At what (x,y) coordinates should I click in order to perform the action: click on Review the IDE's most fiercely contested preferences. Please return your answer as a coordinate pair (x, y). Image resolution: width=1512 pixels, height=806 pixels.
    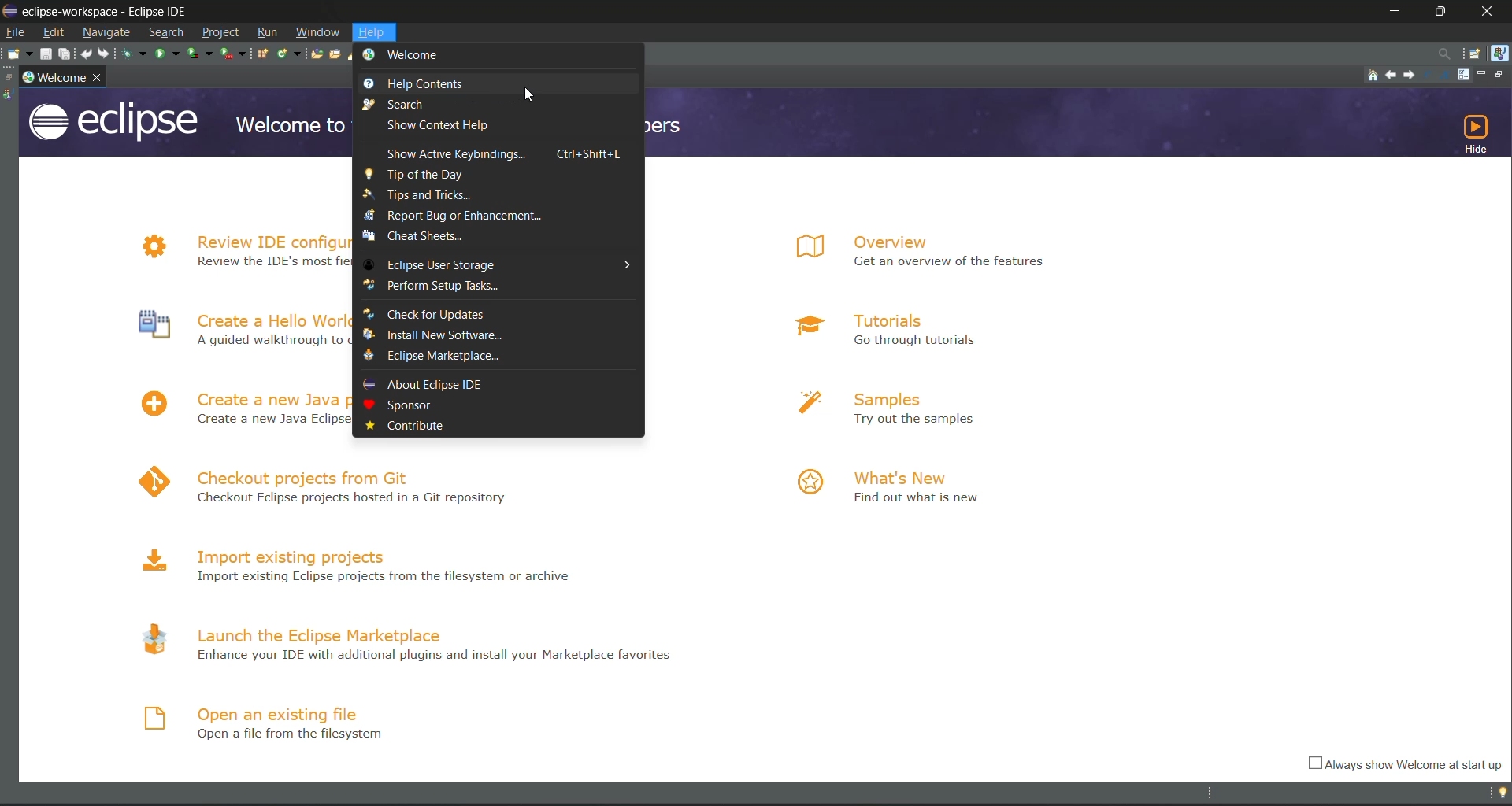
    Looking at the image, I should click on (237, 269).